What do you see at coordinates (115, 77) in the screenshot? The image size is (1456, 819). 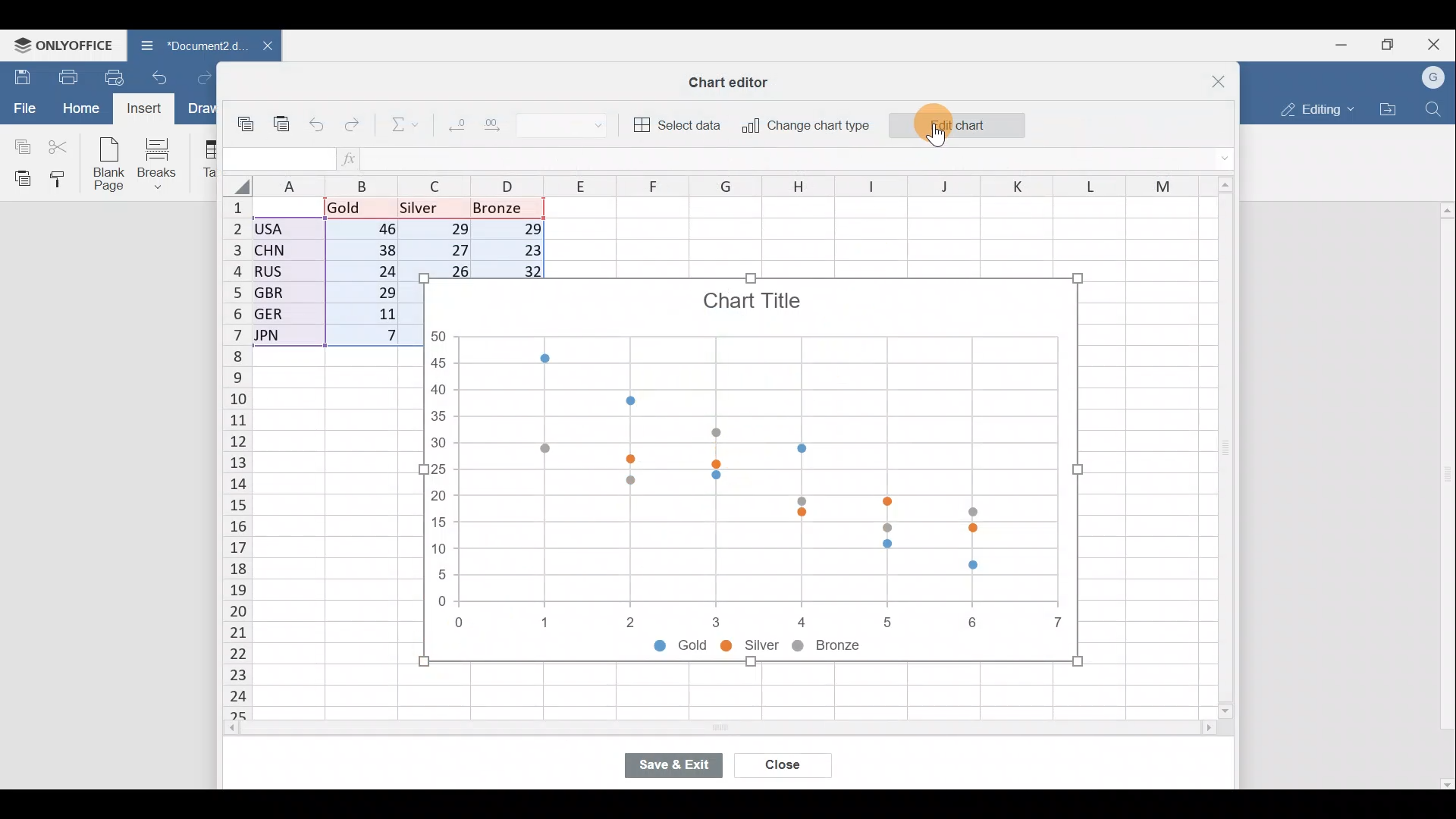 I see `Quick print` at bounding box center [115, 77].